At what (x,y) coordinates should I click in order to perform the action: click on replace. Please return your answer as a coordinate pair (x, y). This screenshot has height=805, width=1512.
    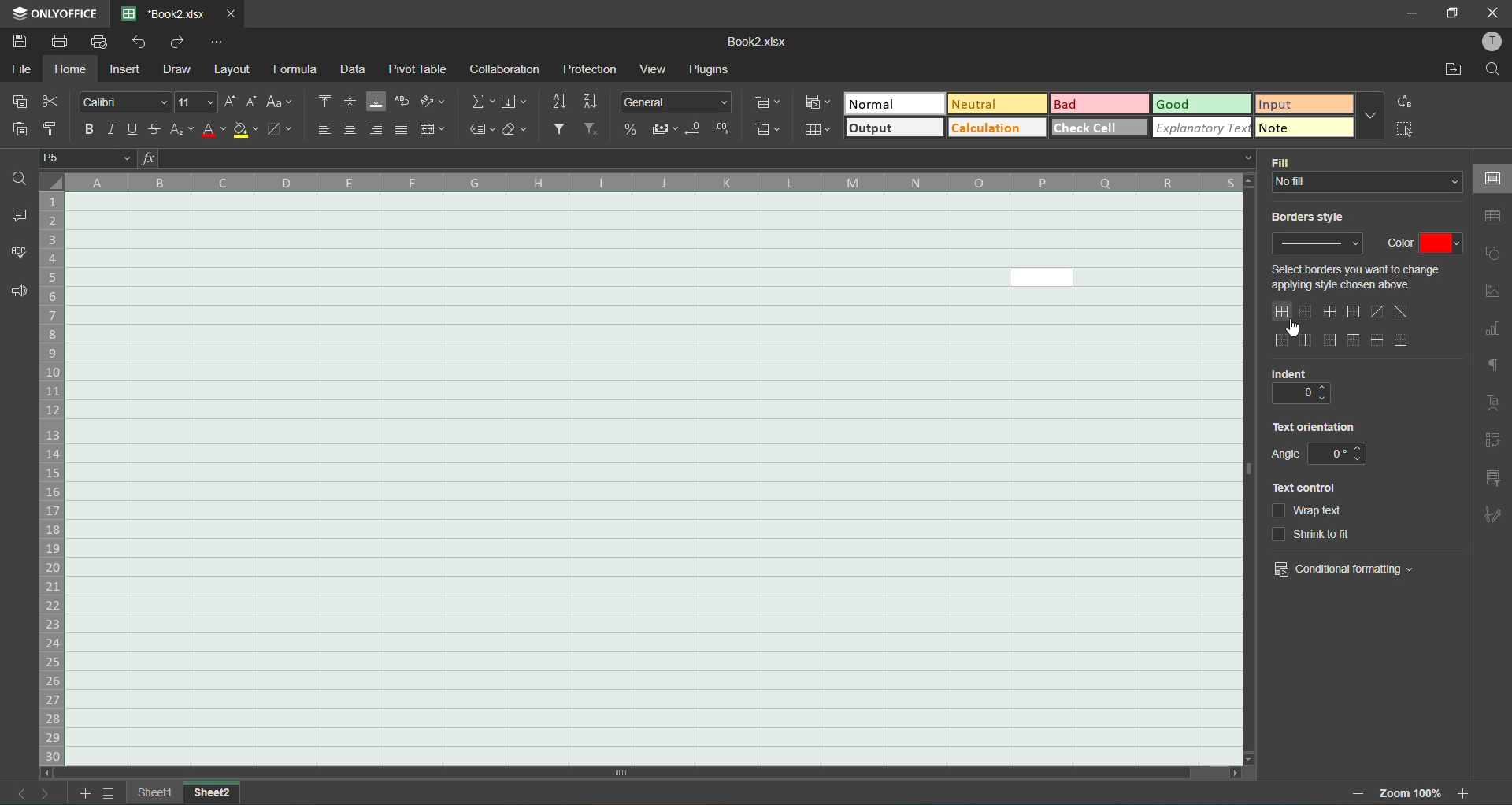
    Looking at the image, I should click on (1403, 103).